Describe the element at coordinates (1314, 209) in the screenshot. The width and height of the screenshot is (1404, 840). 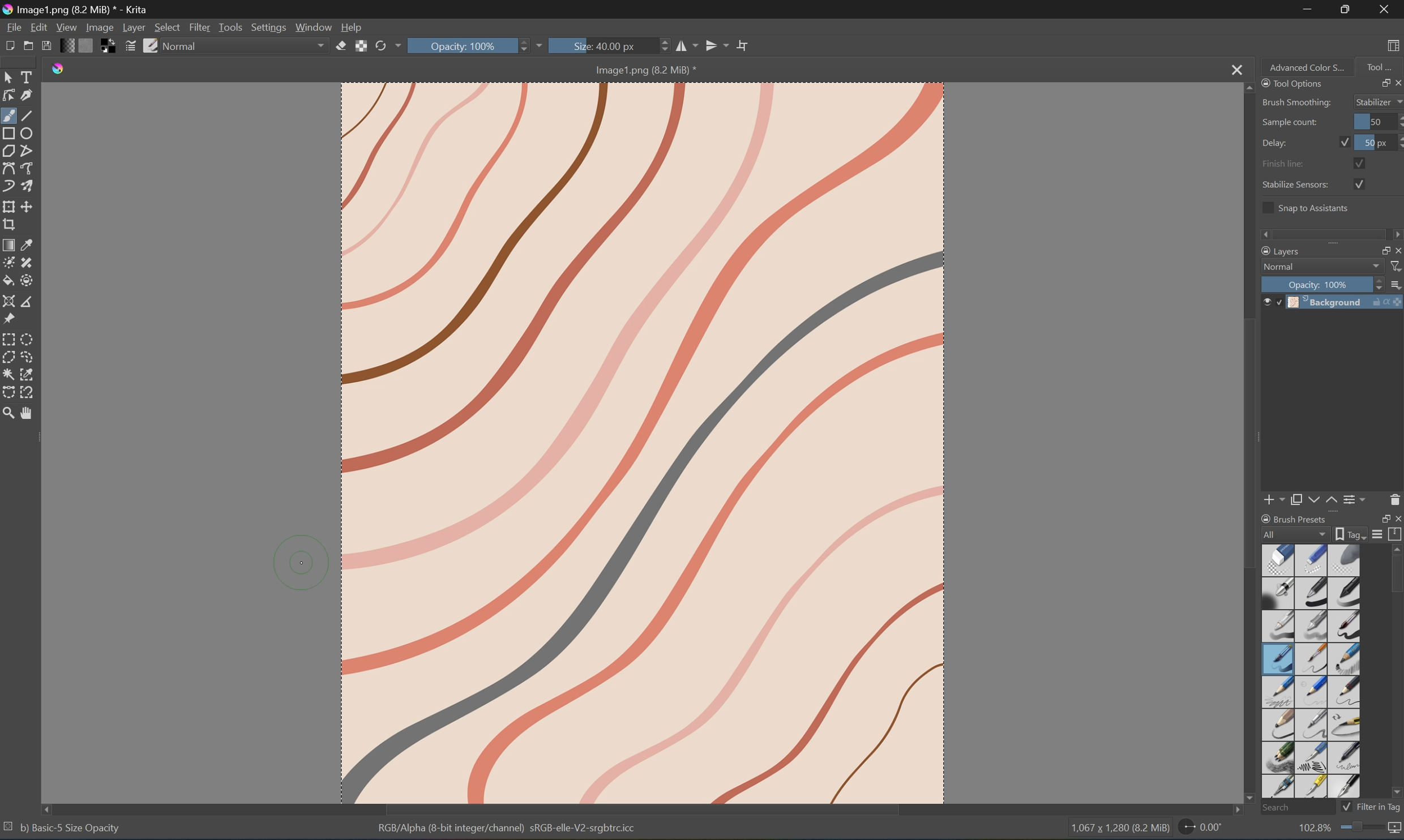
I see `Snap to assistants` at that location.